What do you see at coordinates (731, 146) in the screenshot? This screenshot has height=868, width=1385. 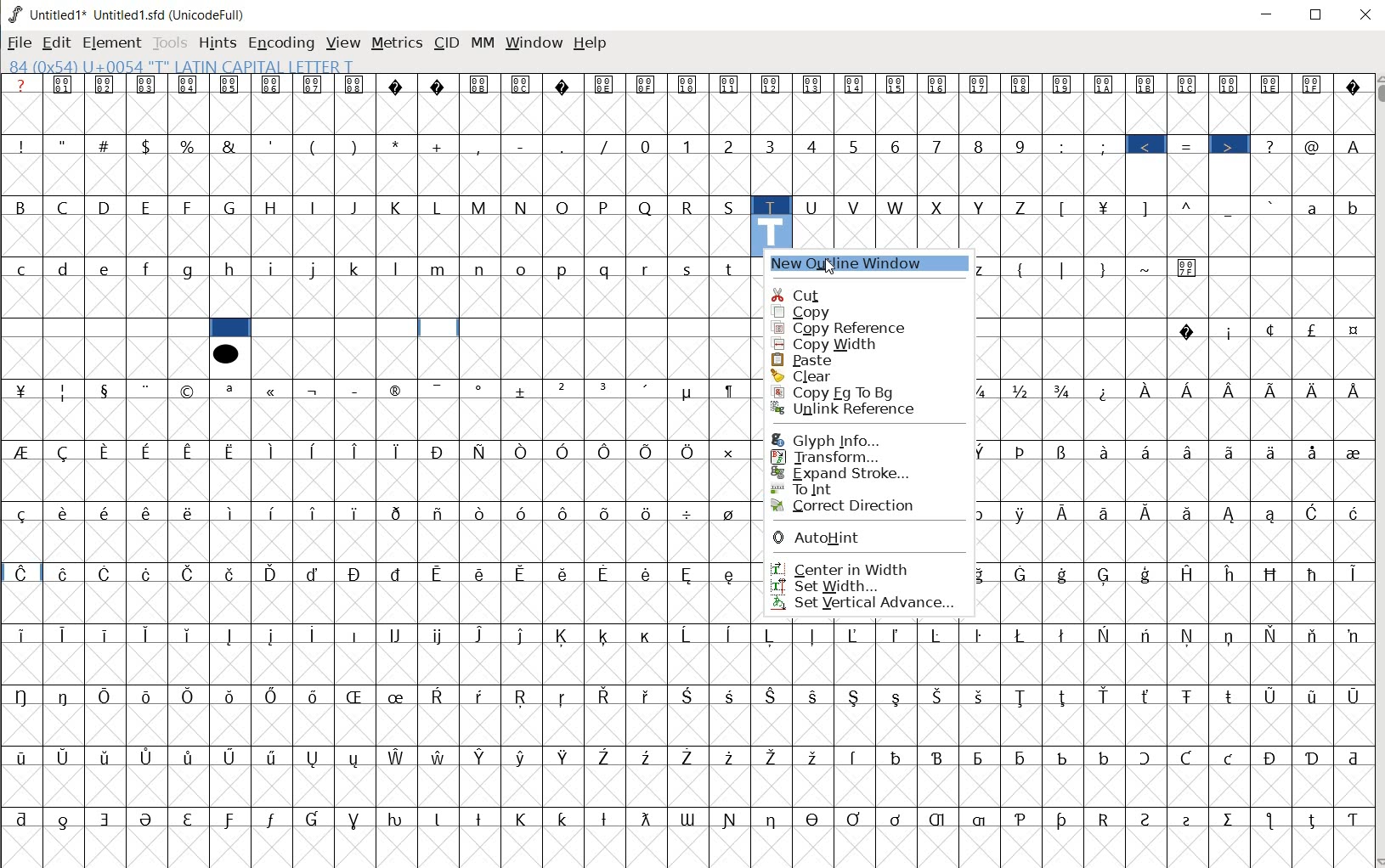 I see `2` at bounding box center [731, 146].